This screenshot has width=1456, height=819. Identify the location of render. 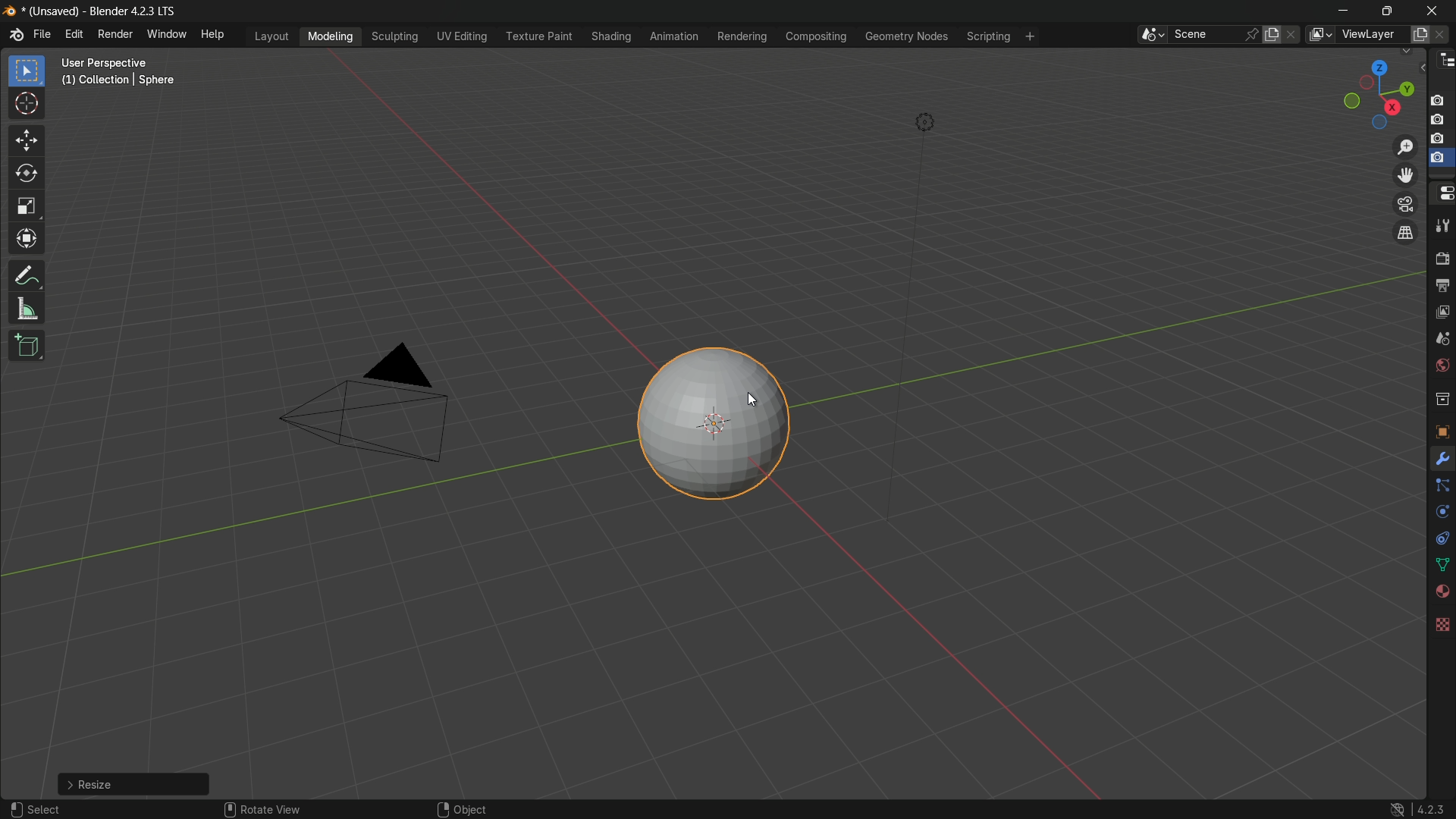
(1442, 259).